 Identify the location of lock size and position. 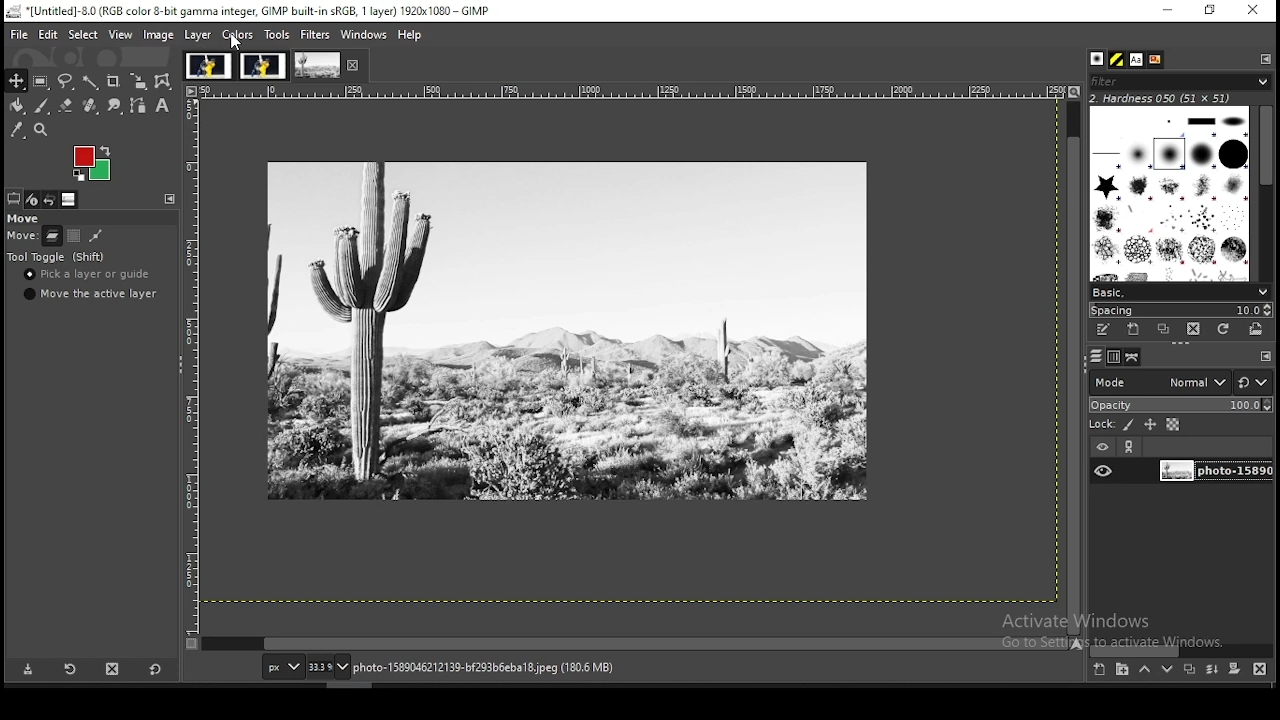
(1150, 424).